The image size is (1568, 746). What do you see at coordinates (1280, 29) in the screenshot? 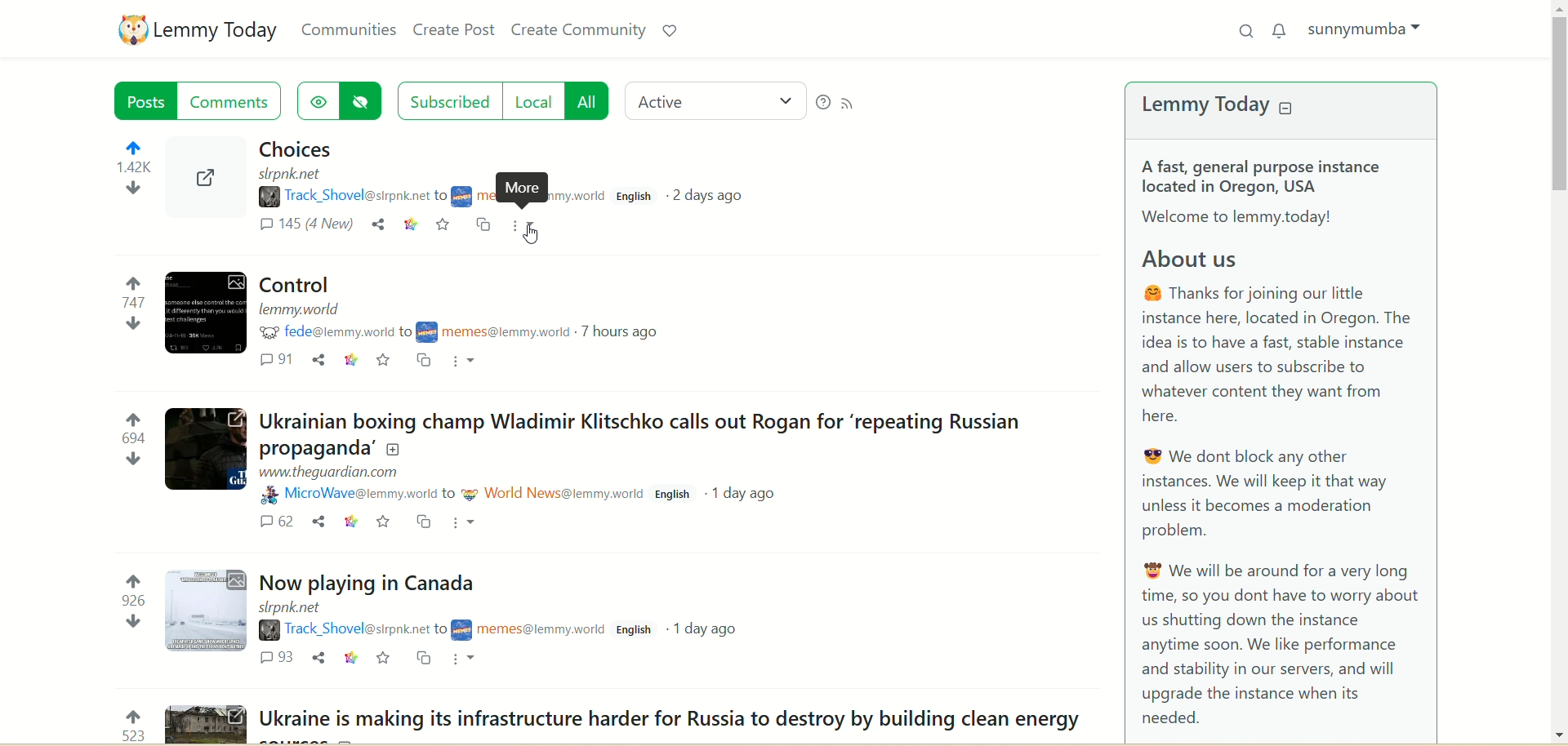
I see `notification` at bounding box center [1280, 29].